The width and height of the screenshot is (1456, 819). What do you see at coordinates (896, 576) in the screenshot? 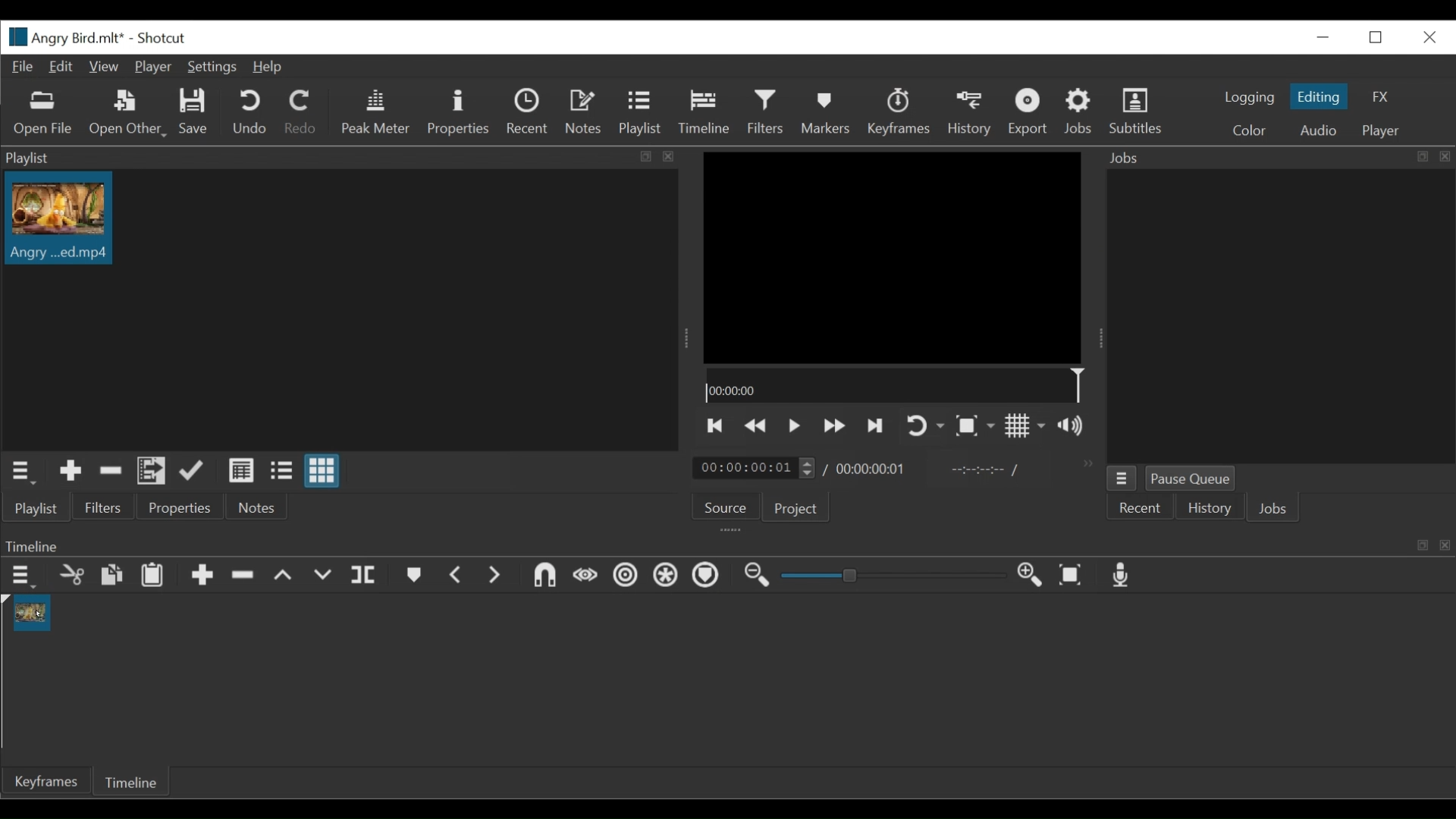
I see `Zoom Slider` at bounding box center [896, 576].